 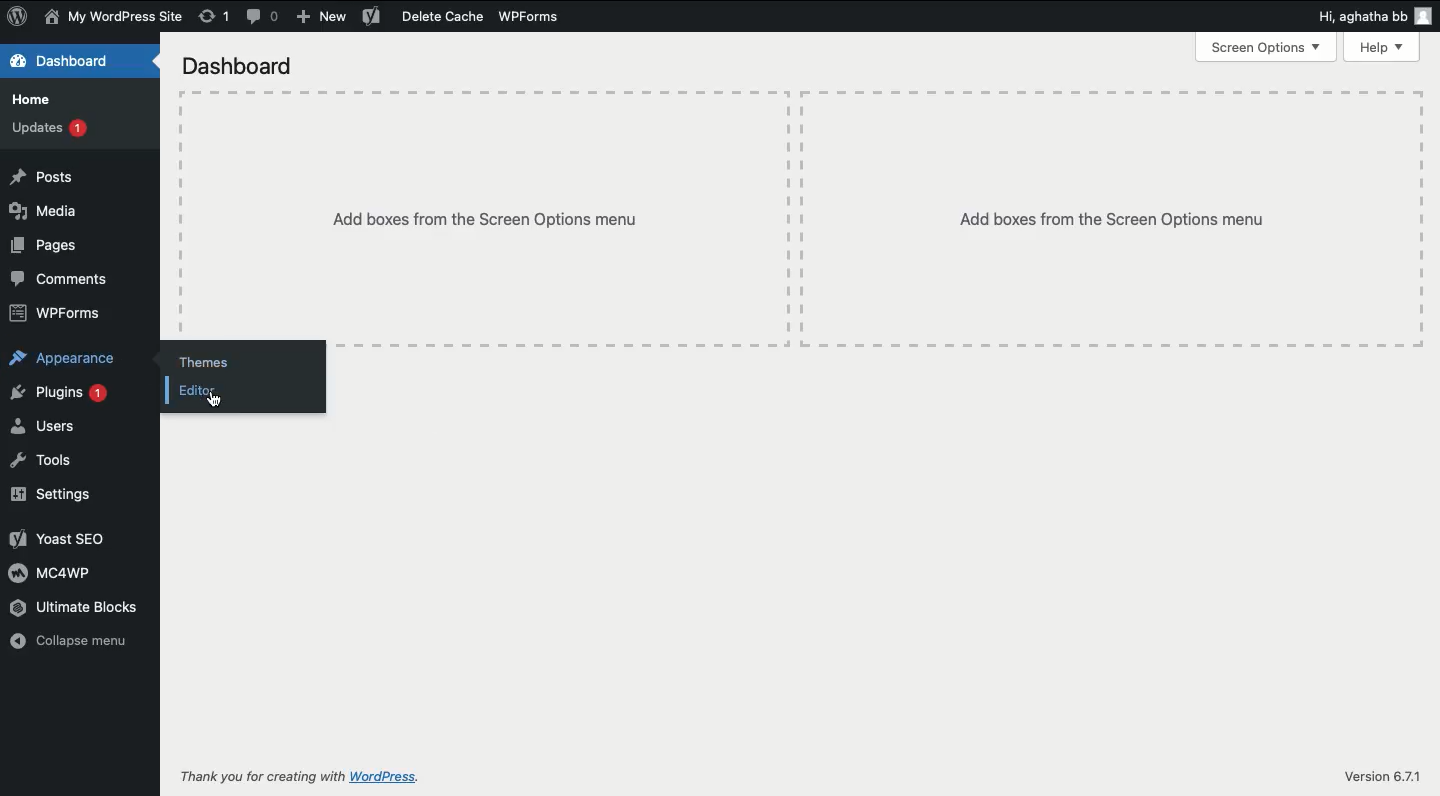 What do you see at coordinates (50, 130) in the screenshot?
I see `updates` at bounding box center [50, 130].